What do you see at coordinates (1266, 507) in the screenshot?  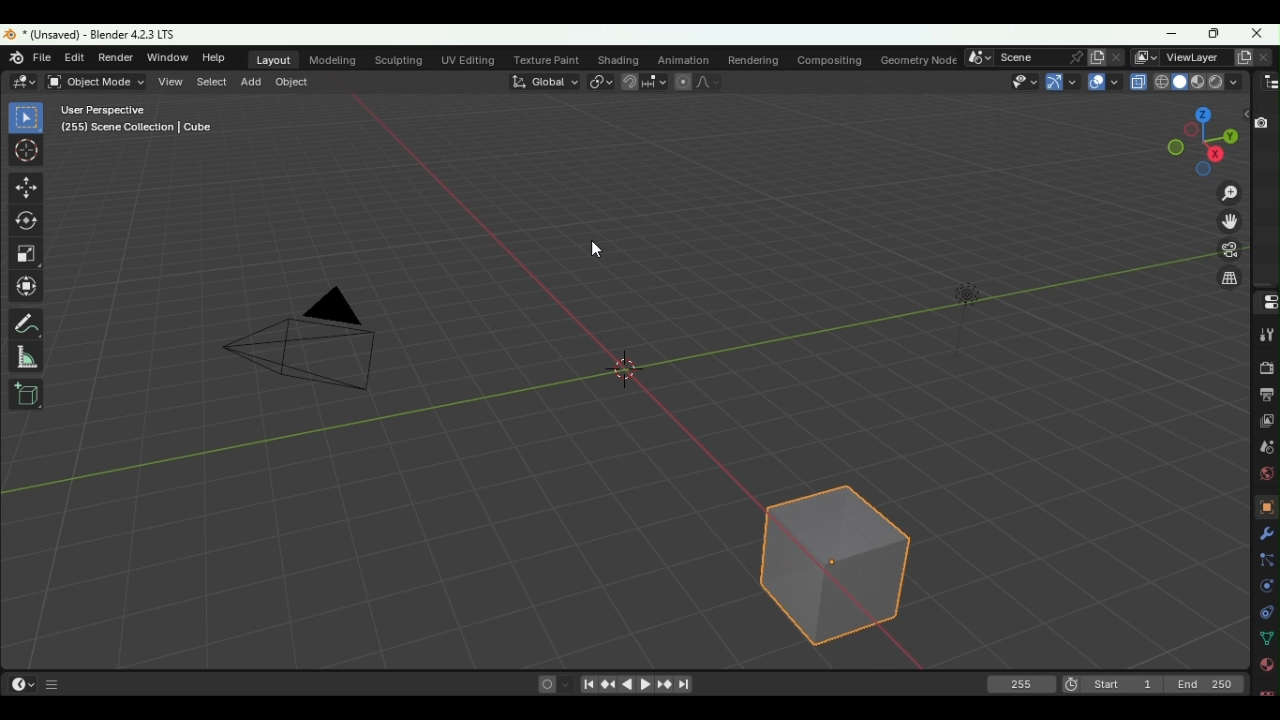 I see `Object` at bounding box center [1266, 507].